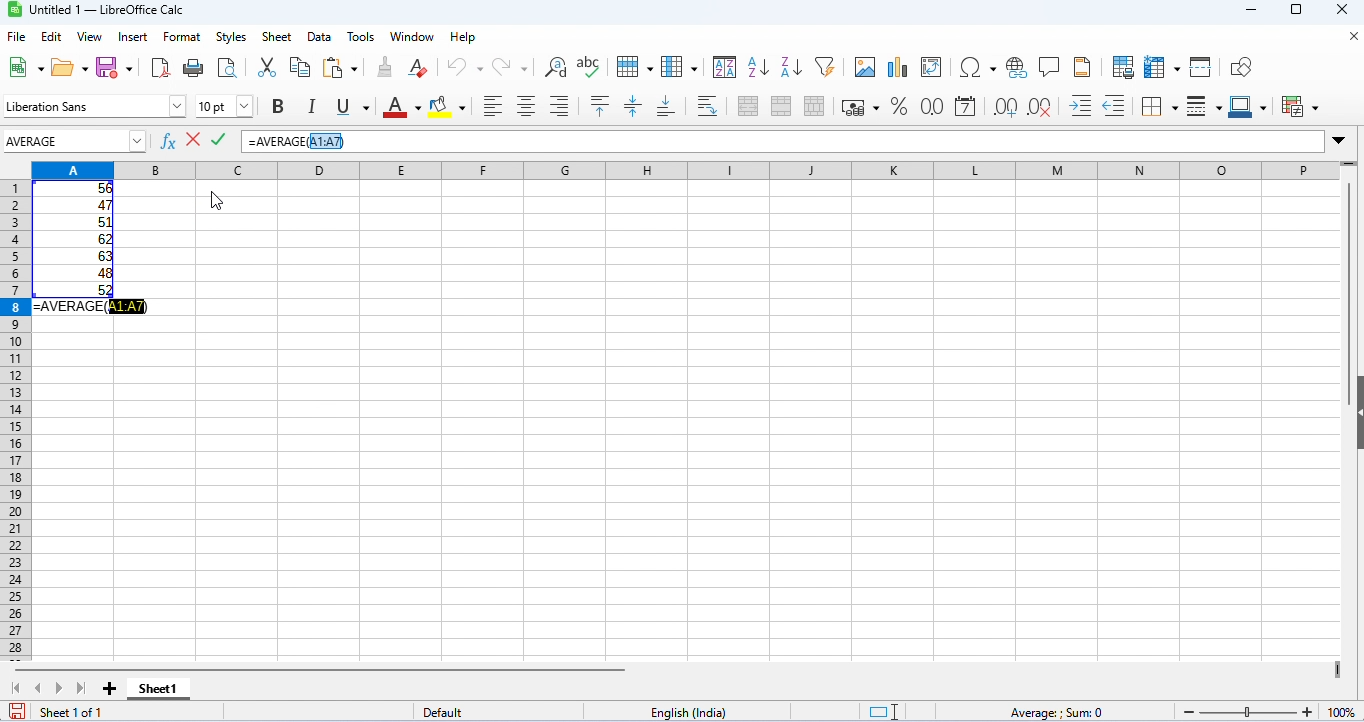 The width and height of the screenshot is (1364, 722). I want to click on lign bottom, so click(666, 107).